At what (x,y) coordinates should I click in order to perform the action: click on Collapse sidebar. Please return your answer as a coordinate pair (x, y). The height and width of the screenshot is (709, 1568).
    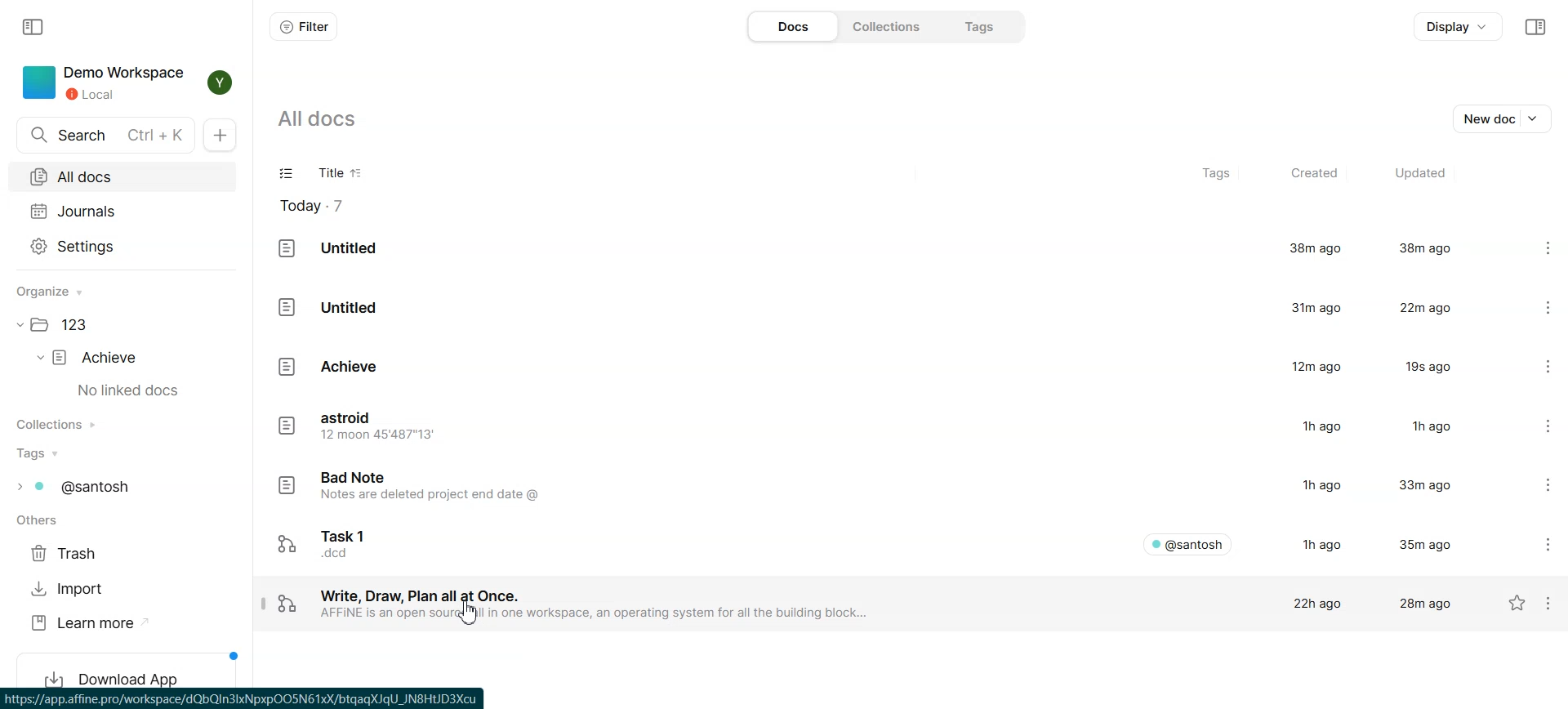
    Looking at the image, I should click on (1535, 27).